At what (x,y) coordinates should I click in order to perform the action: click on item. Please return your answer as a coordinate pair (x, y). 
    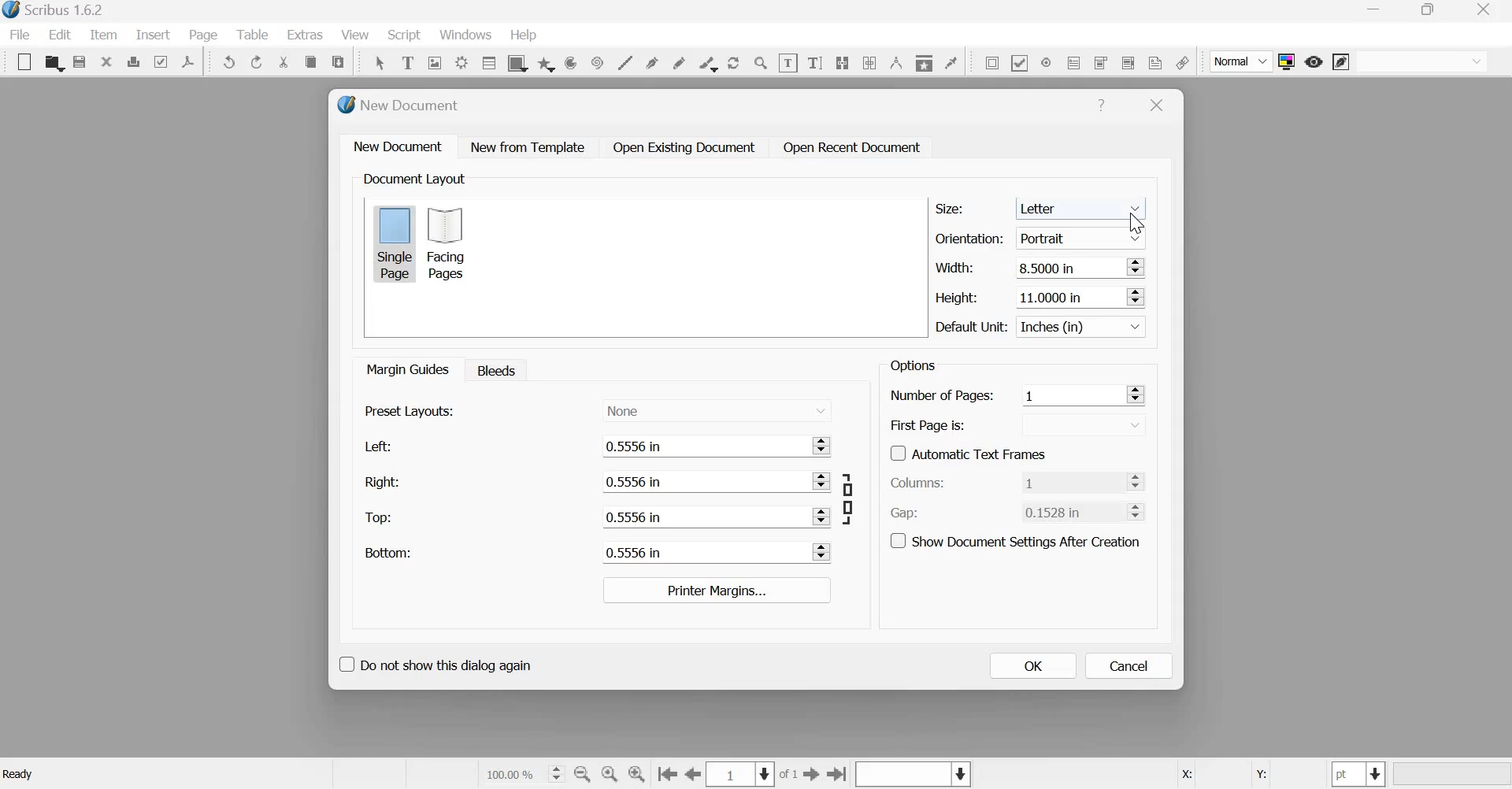
    Looking at the image, I should click on (102, 35).